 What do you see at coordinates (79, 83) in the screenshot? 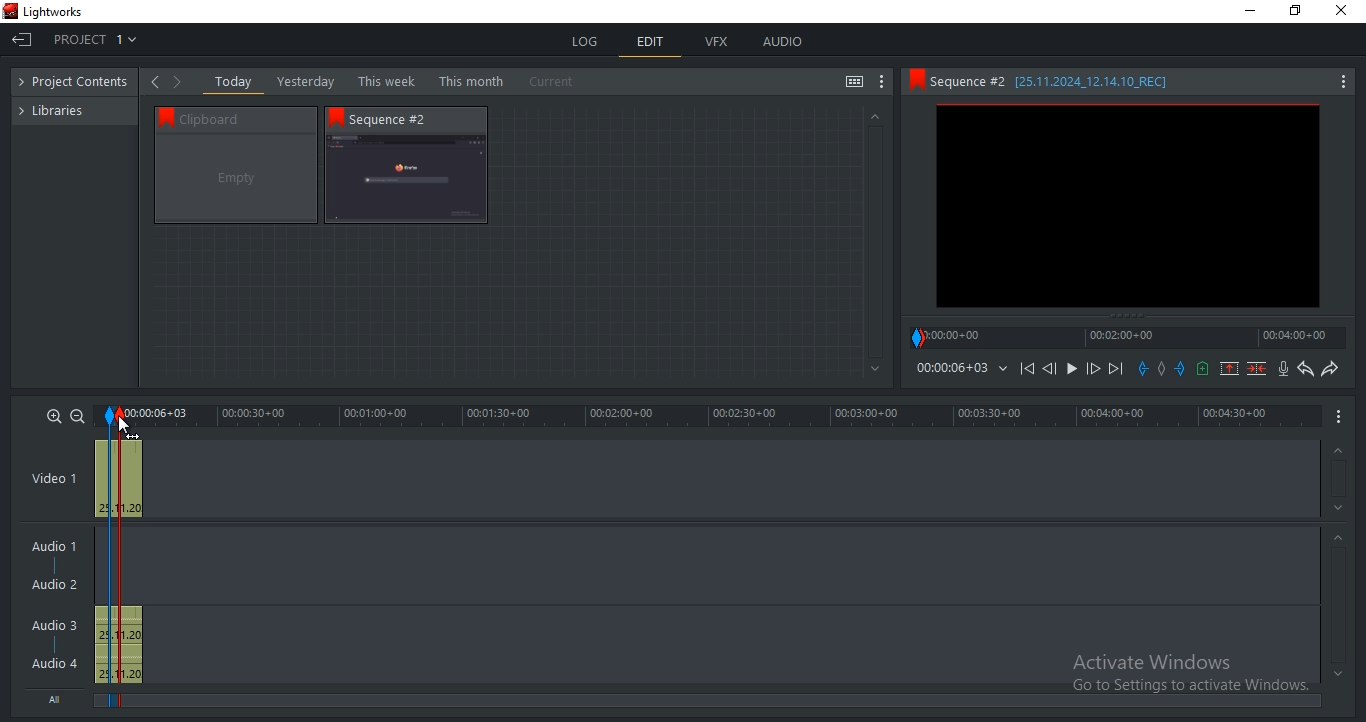
I see `project` at bounding box center [79, 83].